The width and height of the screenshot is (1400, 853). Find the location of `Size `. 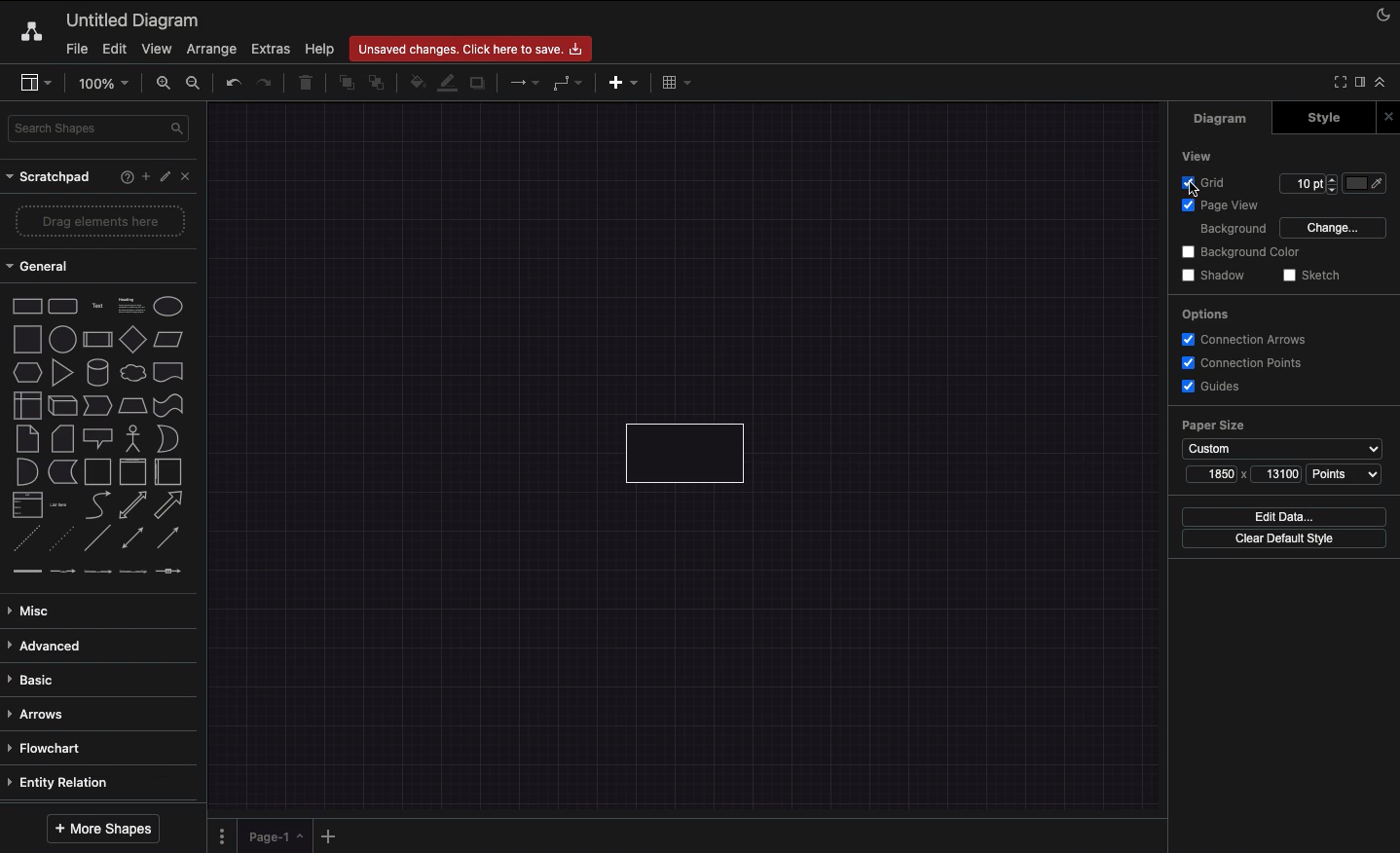

Size  is located at coordinates (1245, 477).